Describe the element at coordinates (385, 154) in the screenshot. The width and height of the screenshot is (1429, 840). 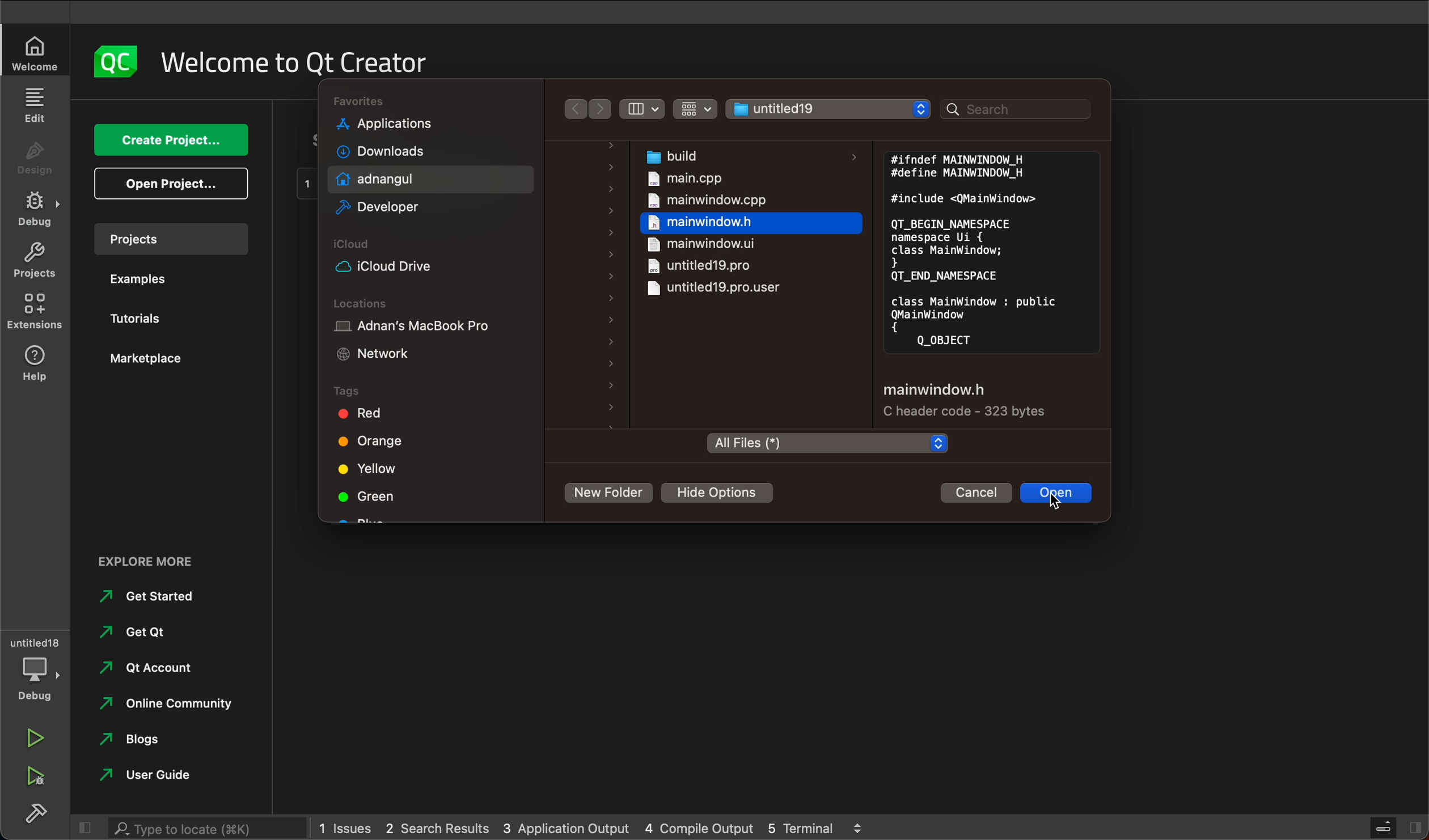
I see `downloads` at that location.